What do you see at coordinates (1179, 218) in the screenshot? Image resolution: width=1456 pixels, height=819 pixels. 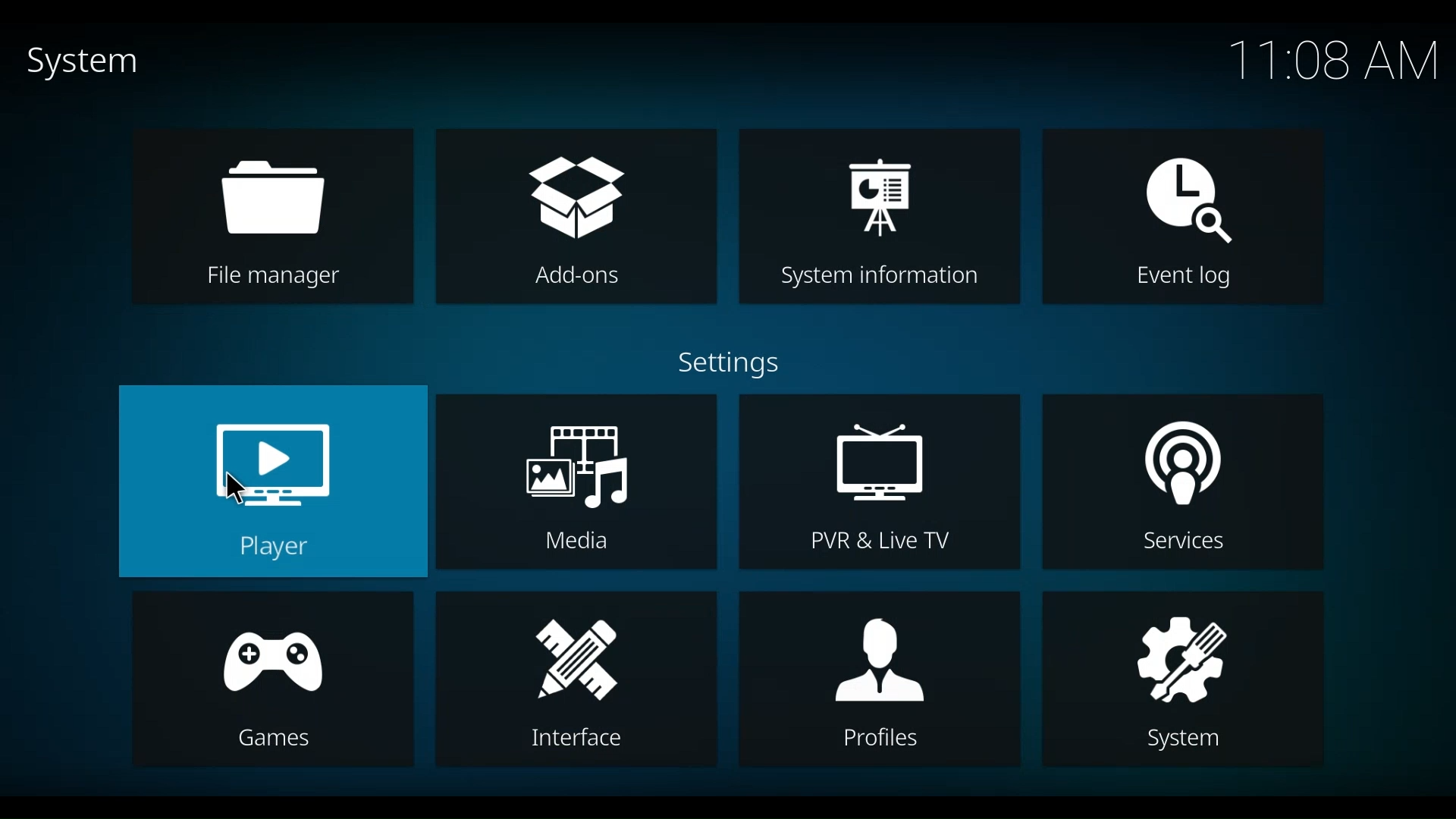 I see `Event log` at bounding box center [1179, 218].